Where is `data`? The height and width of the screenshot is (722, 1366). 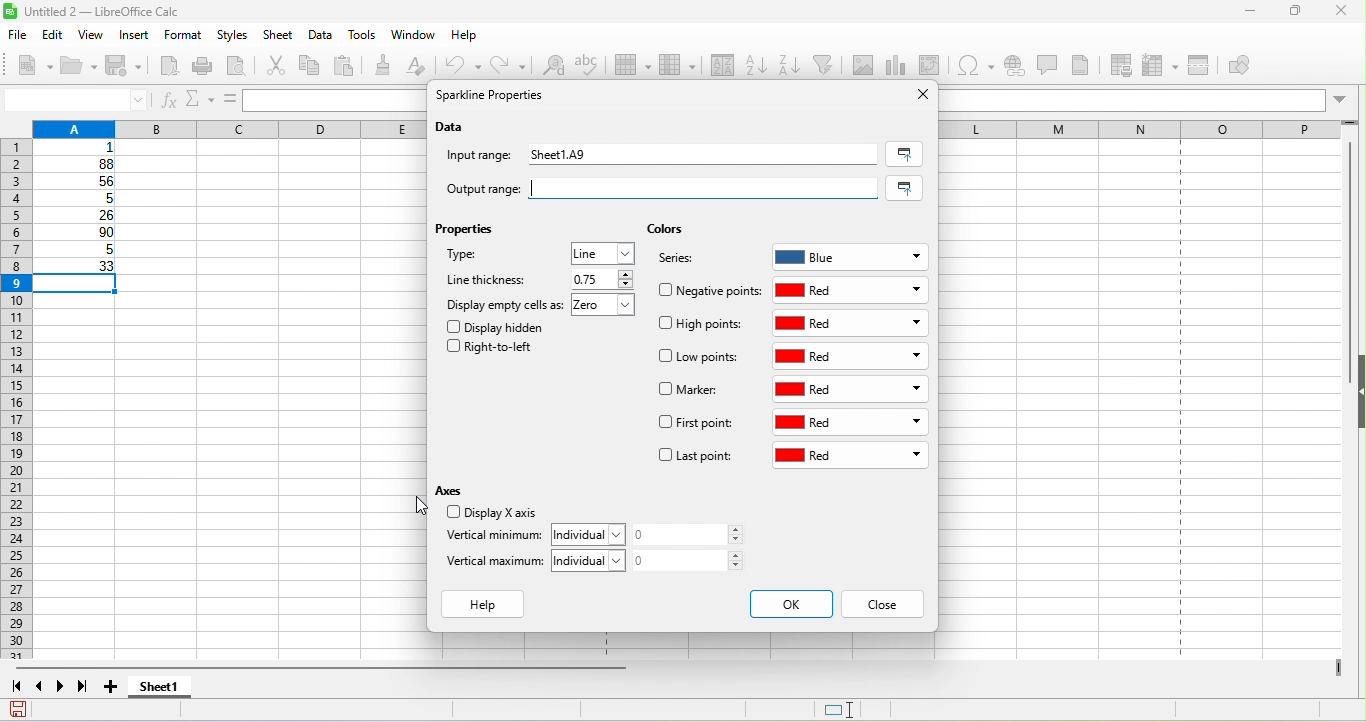 data is located at coordinates (453, 128).